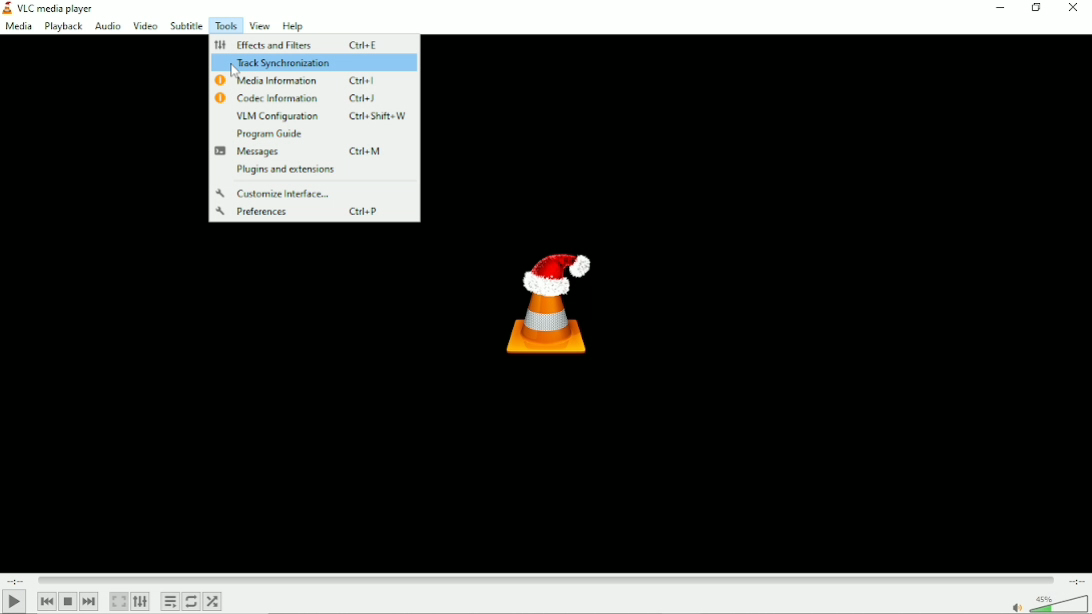 This screenshot has width=1092, height=614. Describe the element at coordinates (140, 602) in the screenshot. I see `Show extended settings` at that location.